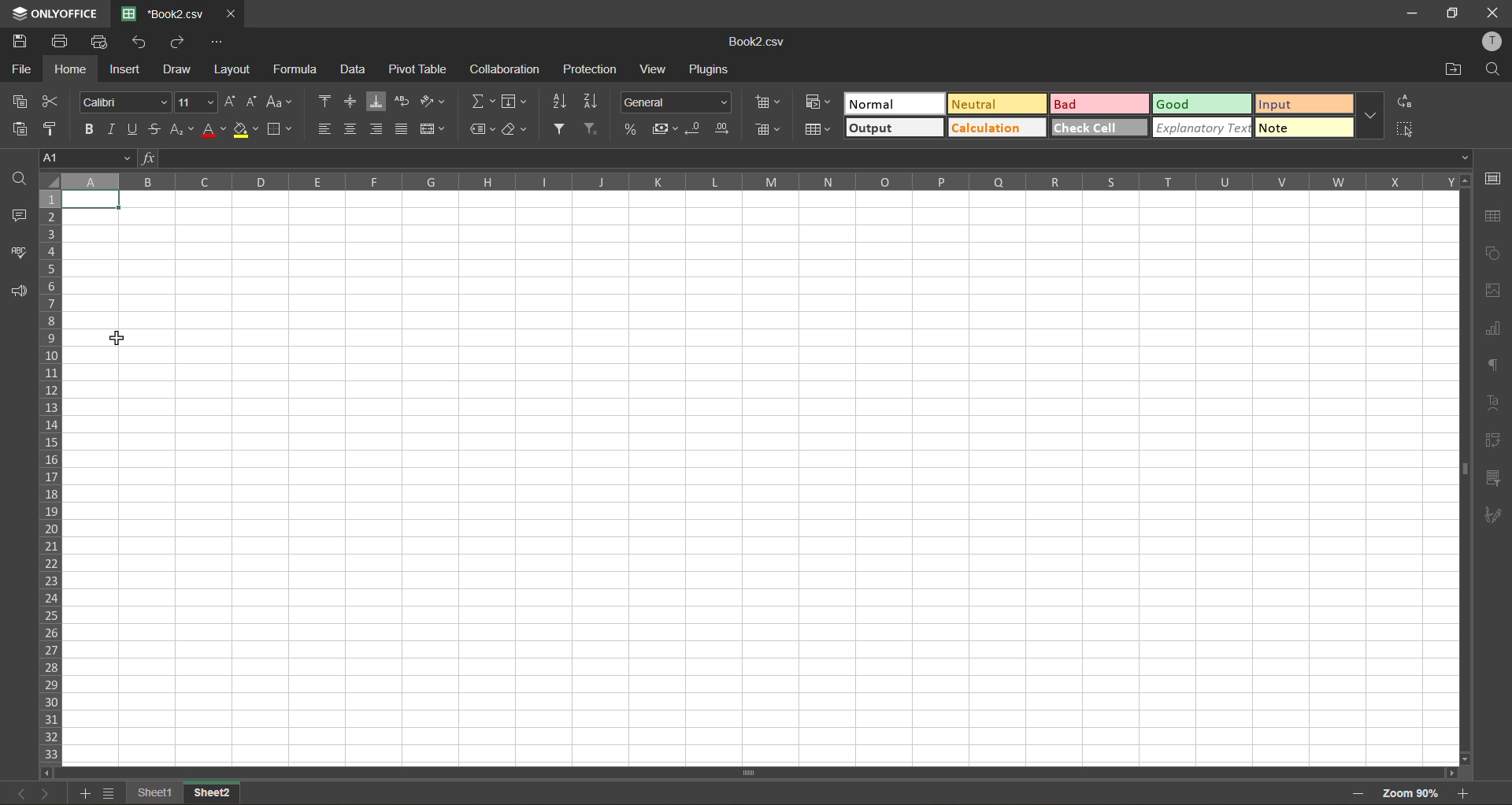 Image resolution: width=1512 pixels, height=805 pixels. I want to click on named ranges, so click(482, 128).